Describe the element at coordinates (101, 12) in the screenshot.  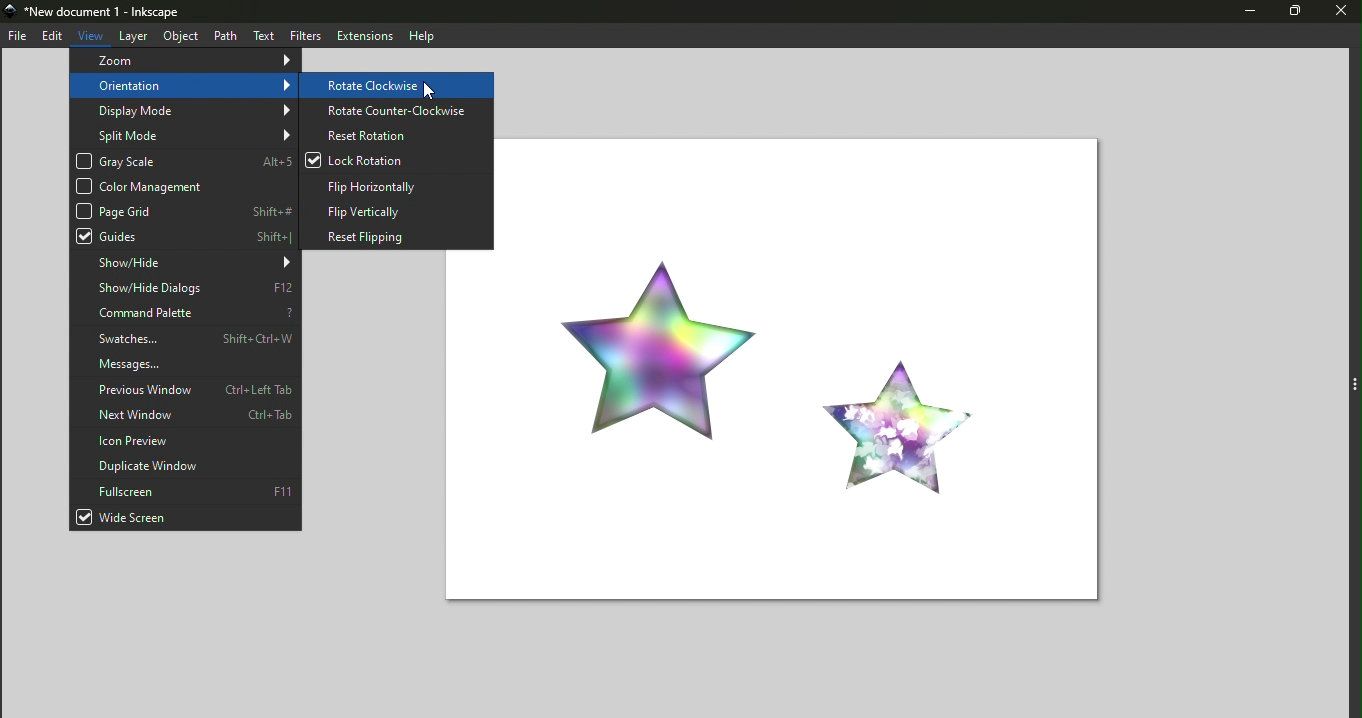
I see `new document 1-inkscape` at that location.